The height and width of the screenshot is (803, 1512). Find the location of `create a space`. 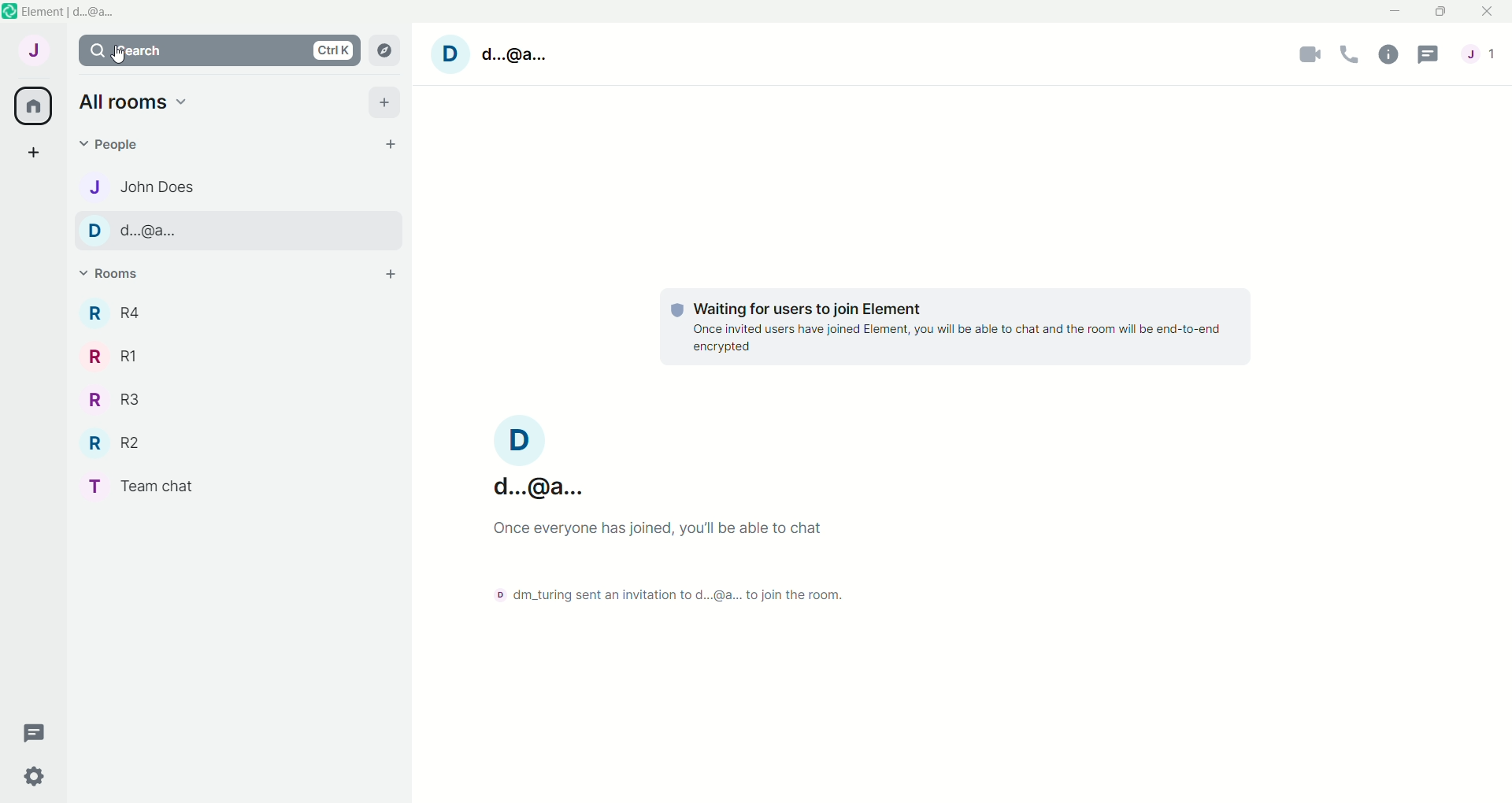

create a space is located at coordinates (36, 154).